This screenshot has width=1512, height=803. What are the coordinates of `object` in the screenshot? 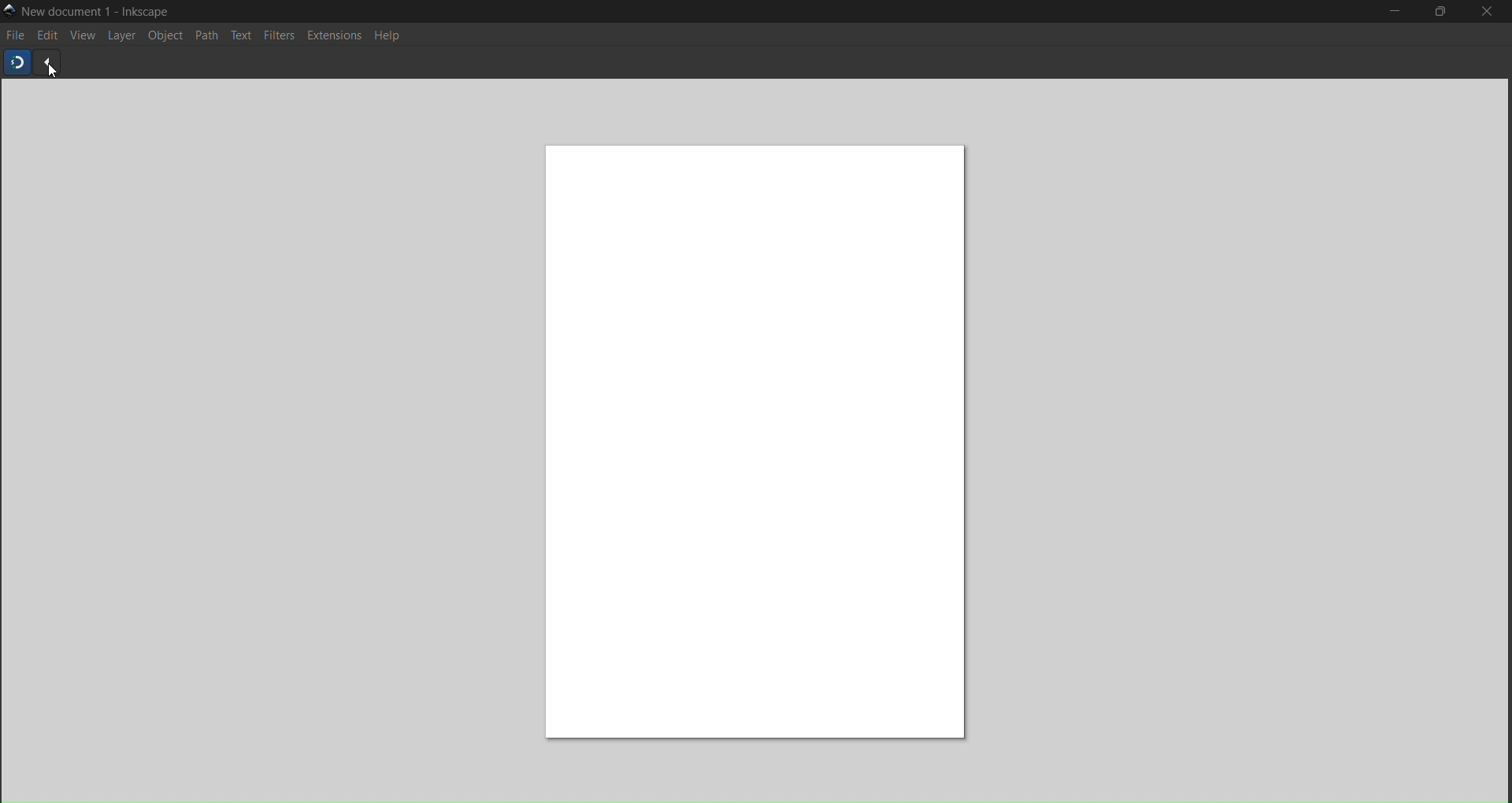 It's located at (165, 35).